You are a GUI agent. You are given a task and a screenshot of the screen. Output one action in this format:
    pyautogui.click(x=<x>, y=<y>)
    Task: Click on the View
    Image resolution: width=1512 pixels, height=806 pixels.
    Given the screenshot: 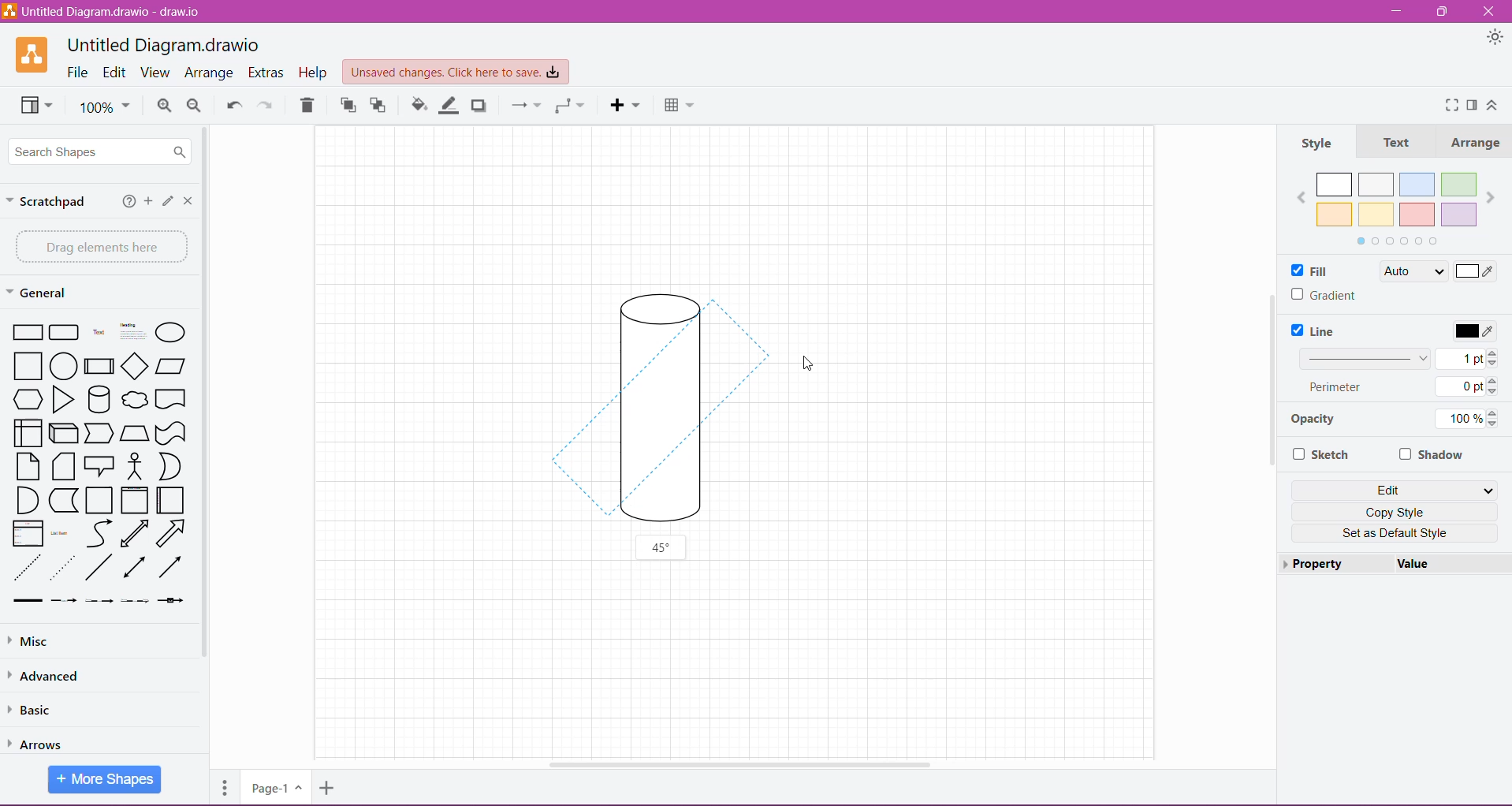 What is the action you would take?
    pyautogui.click(x=34, y=107)
    